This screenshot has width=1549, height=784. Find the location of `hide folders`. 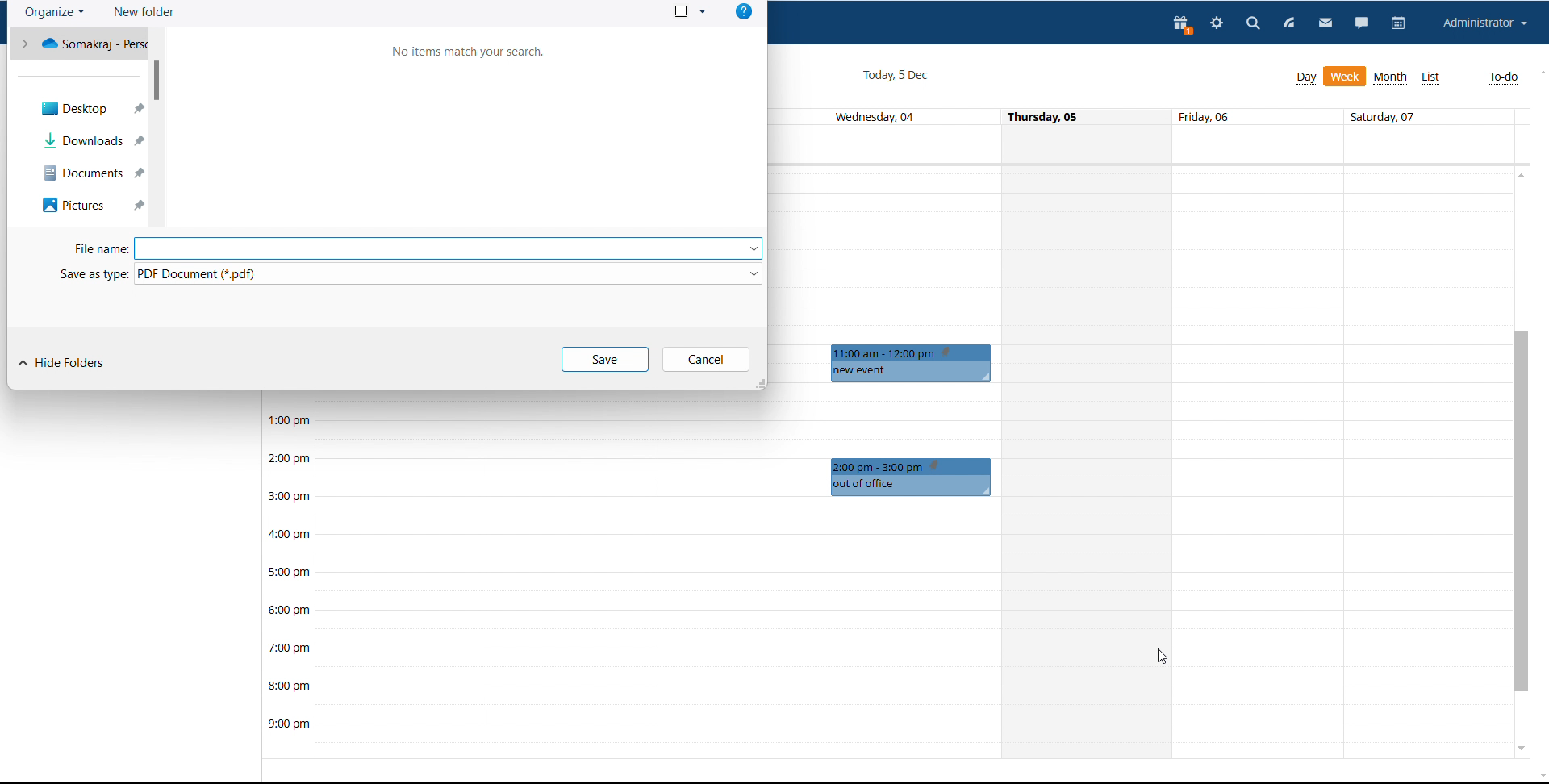

hide folders is located at coordinates (61, 364).